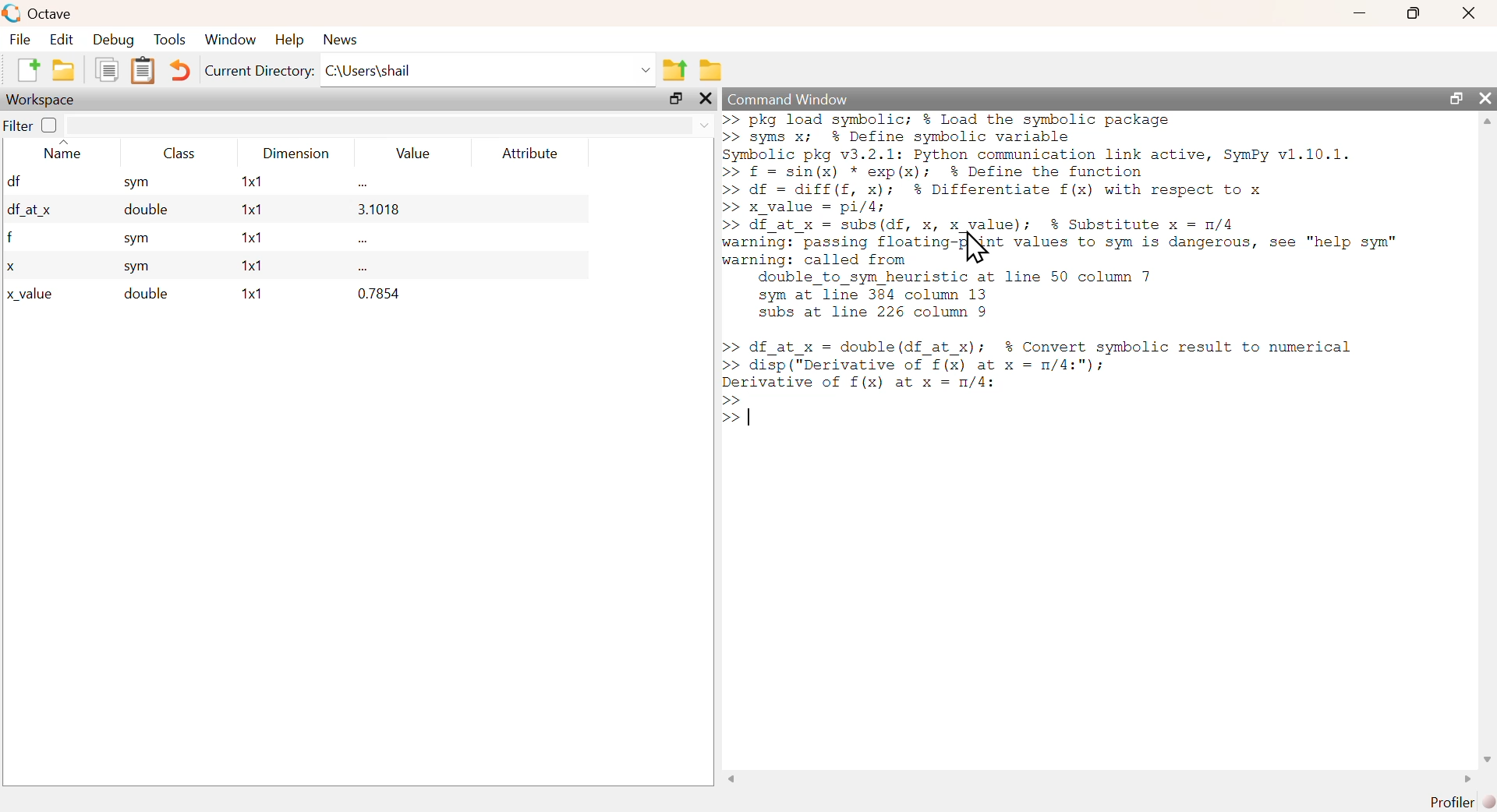  Describe the element at coordinates (1449, 802) in the screenshot. I see `Profiler` at that location.